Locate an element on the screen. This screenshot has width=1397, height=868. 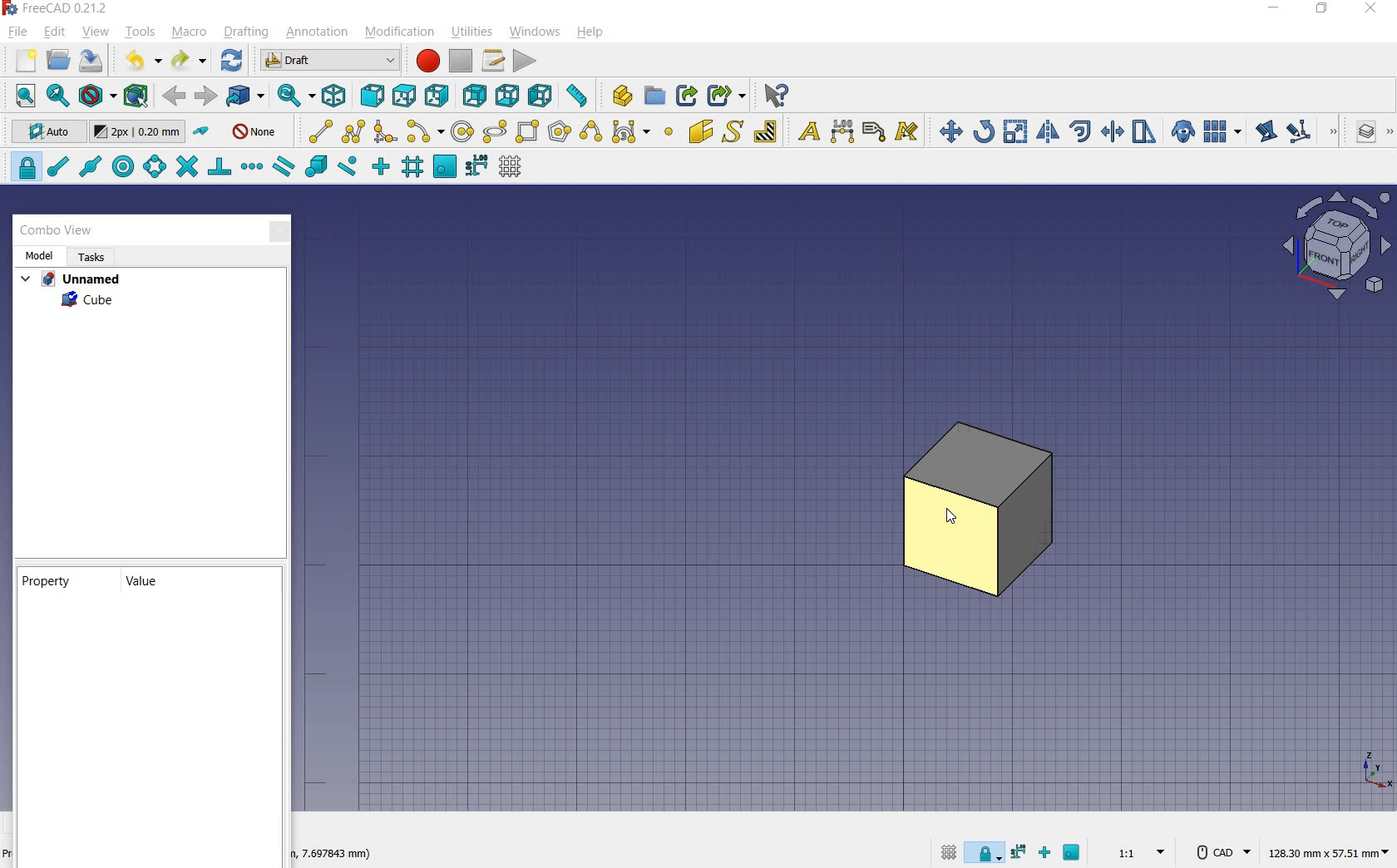
snap near is located at coordinates (348, 166).